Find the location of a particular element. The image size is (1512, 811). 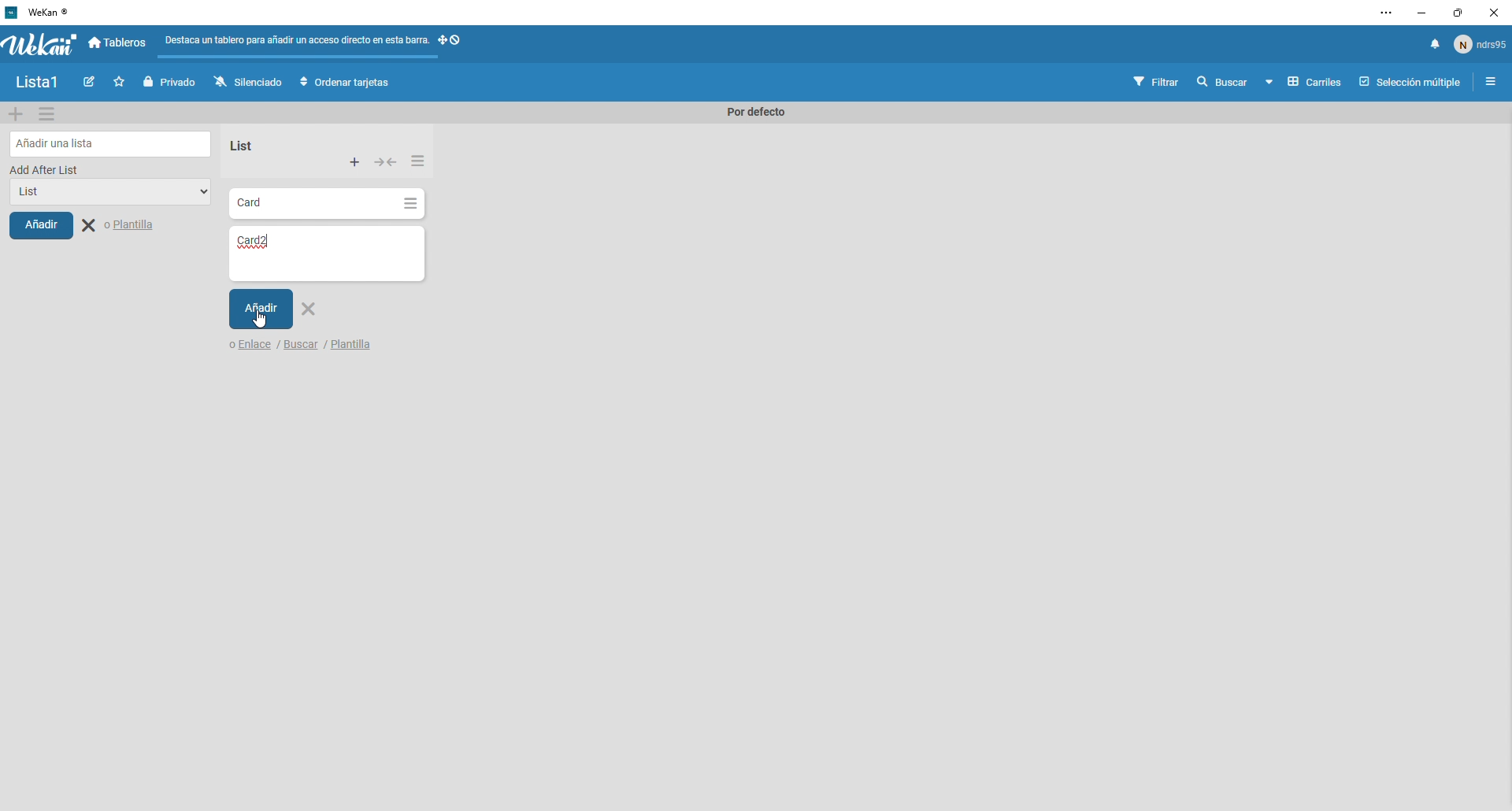

Files is located at coordinates (298, 43).